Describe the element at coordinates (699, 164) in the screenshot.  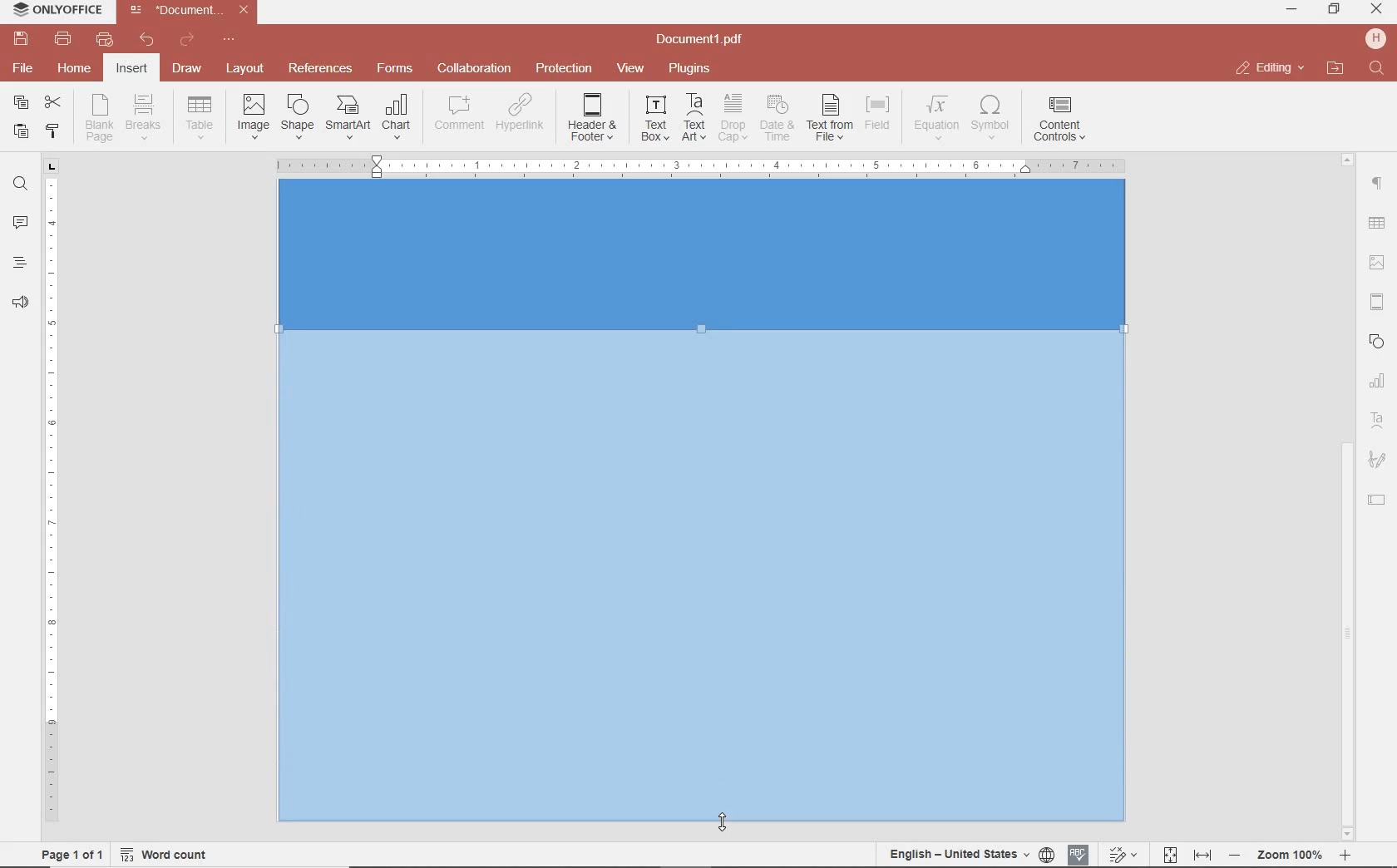
I see `` at that location.